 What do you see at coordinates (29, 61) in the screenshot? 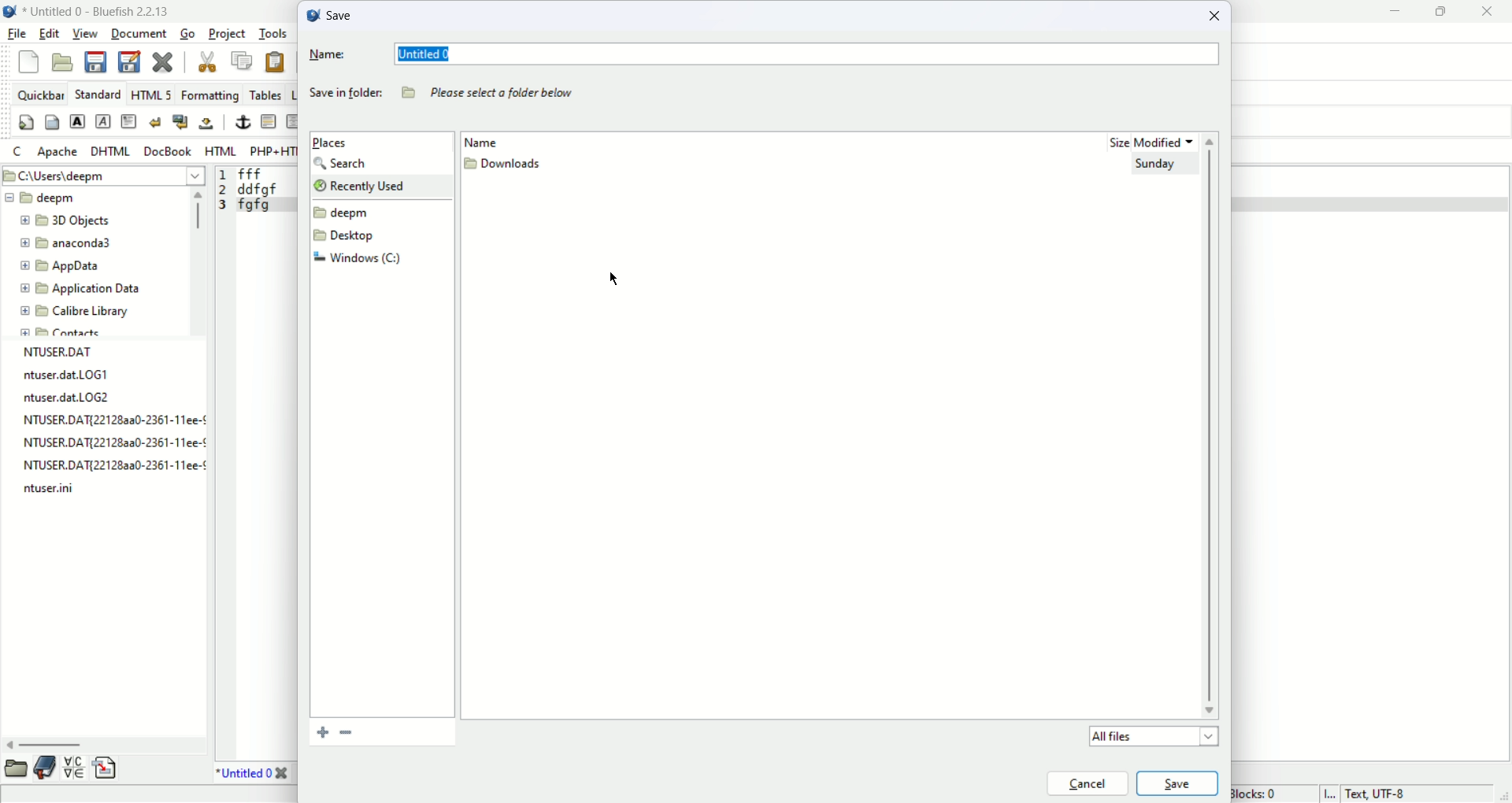
I see `new` at bounding box center [29, 61].